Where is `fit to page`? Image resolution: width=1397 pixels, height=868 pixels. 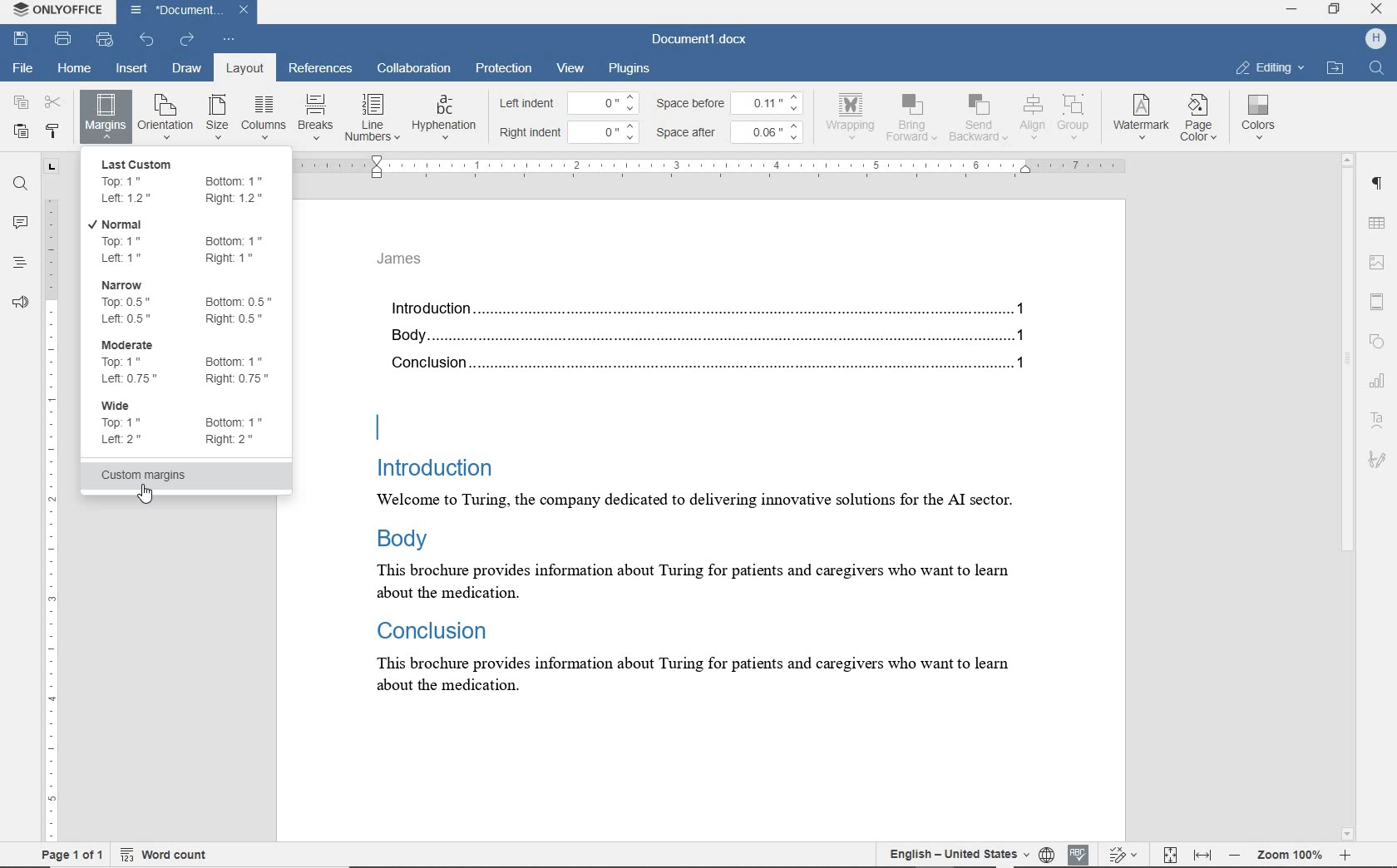 fit to page is located at coordinates (1169, 853).